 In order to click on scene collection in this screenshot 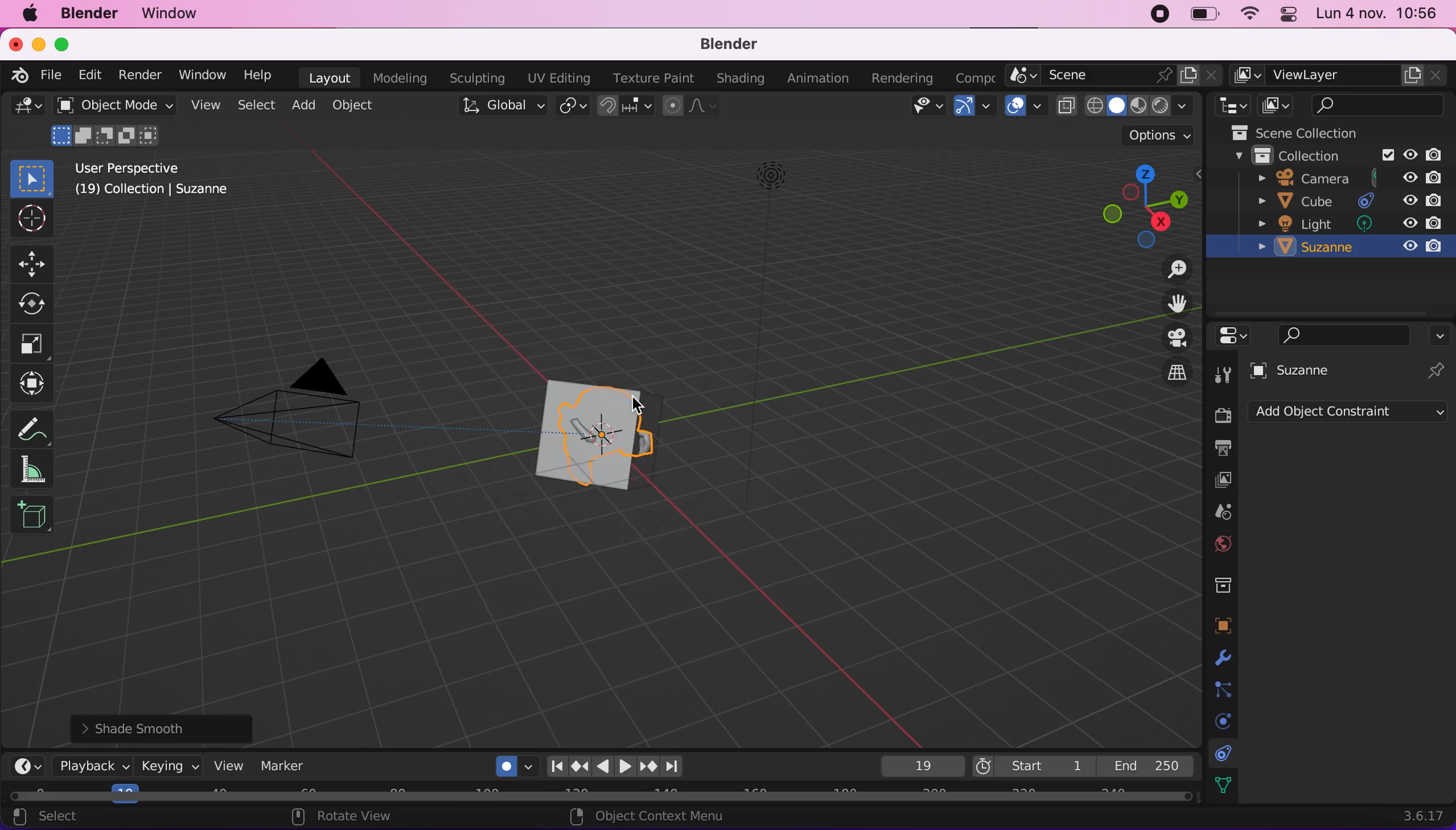, I will do `click(1310, 133)`.